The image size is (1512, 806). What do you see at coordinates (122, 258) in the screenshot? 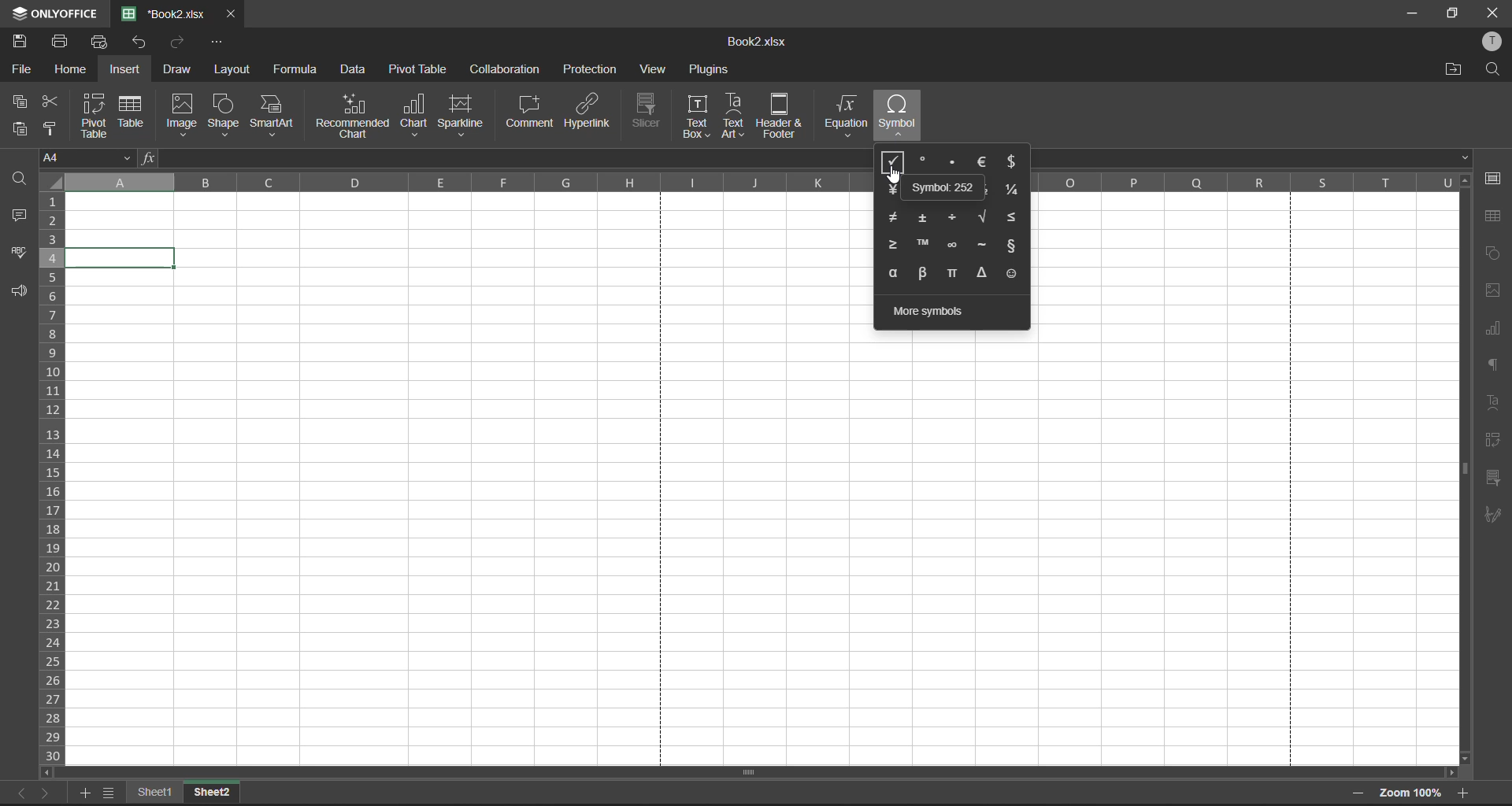
I see `selected cell` at bounding box center [122, 258].